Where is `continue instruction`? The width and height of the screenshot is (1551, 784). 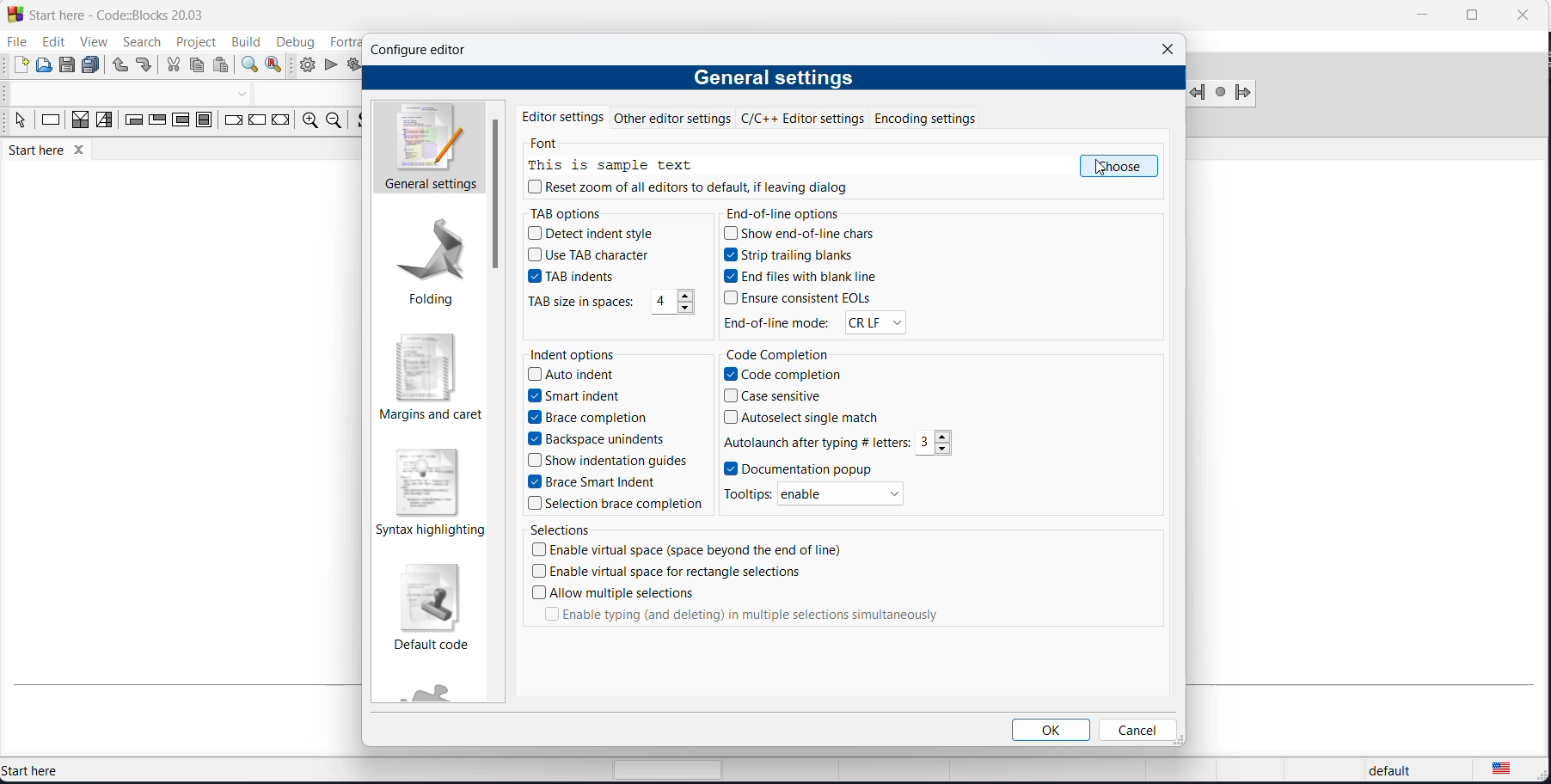
continue instruction is located at coordinates (259, 121).